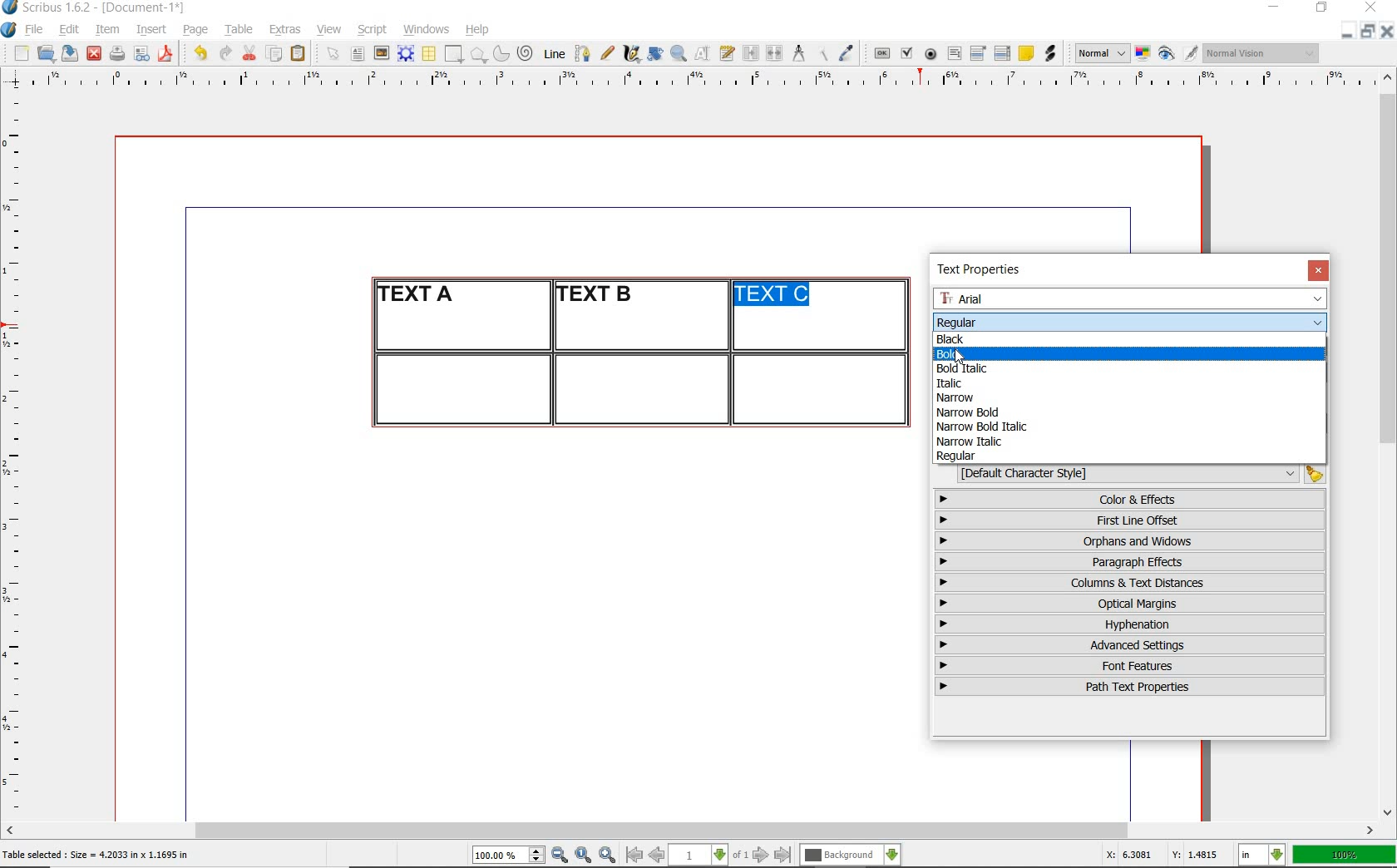 This screenshot has height=868, width=1397. Describe the element at coordinates (1128, 561) in the screenshot. I see `paragraph effects` at that location.